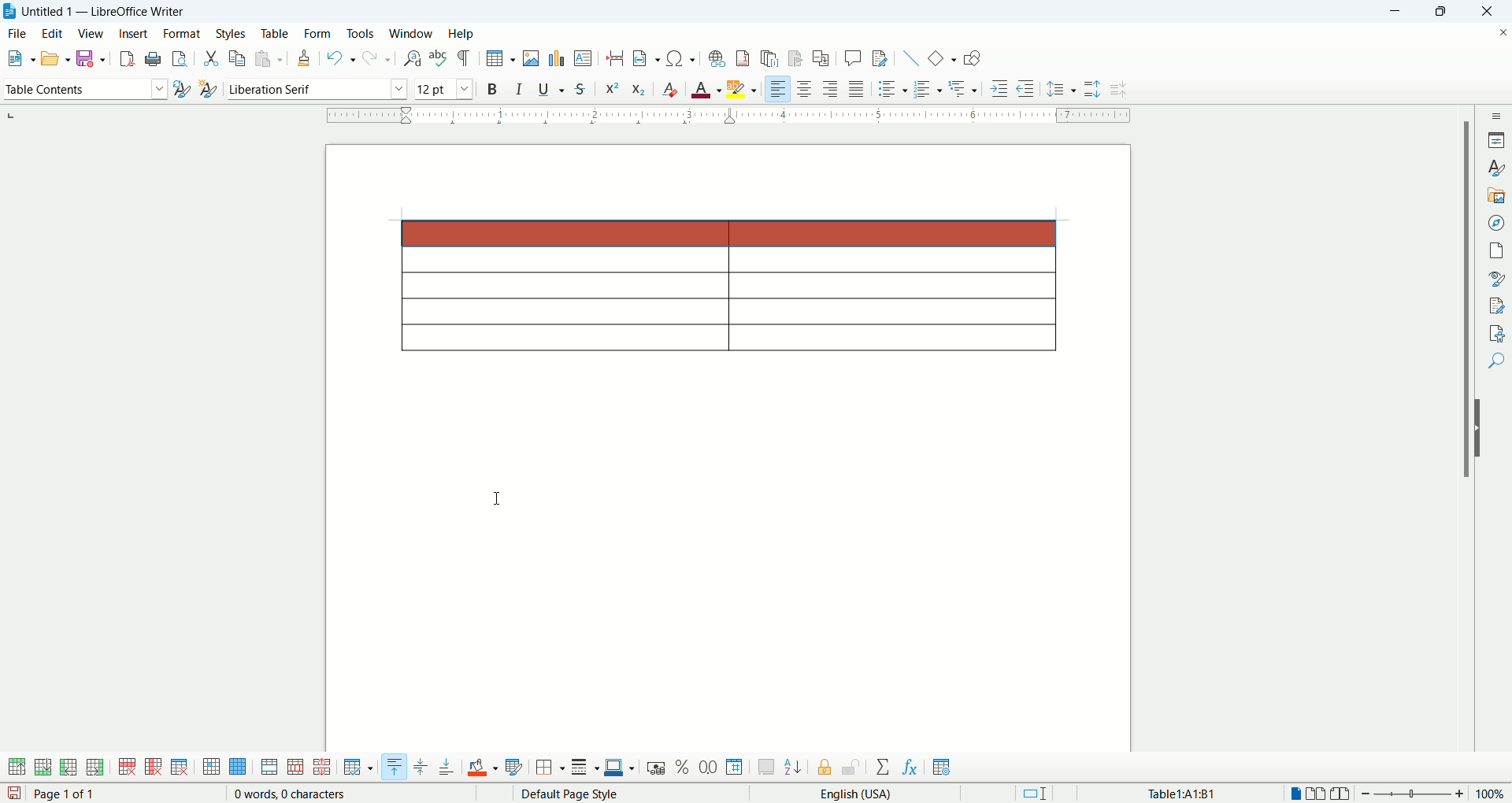 The width and height of the screenshot is (1512, 803). I want to click on left align, so click(831, 87).